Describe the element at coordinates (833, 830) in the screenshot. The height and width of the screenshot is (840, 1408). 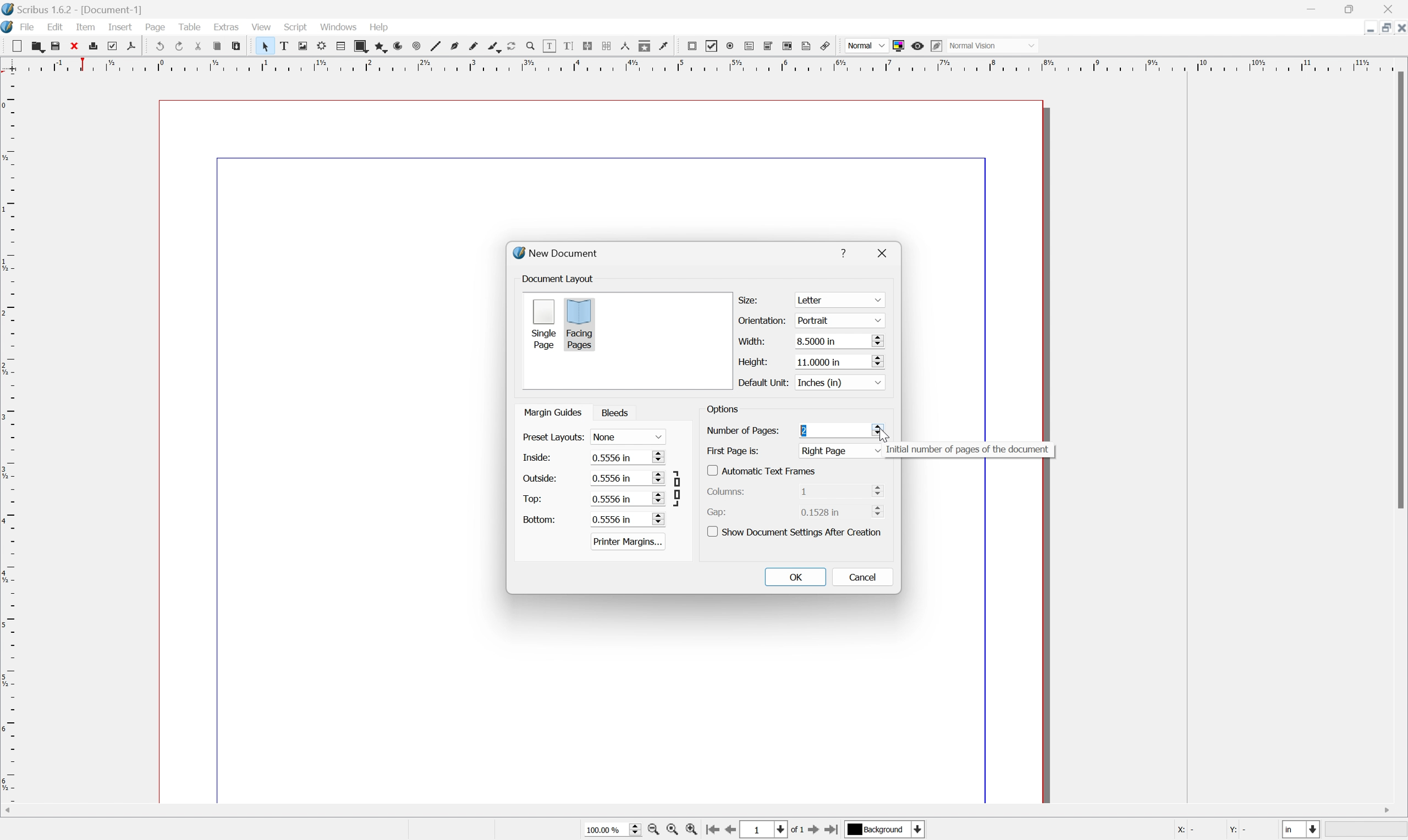
I see `go to last page` at that location.